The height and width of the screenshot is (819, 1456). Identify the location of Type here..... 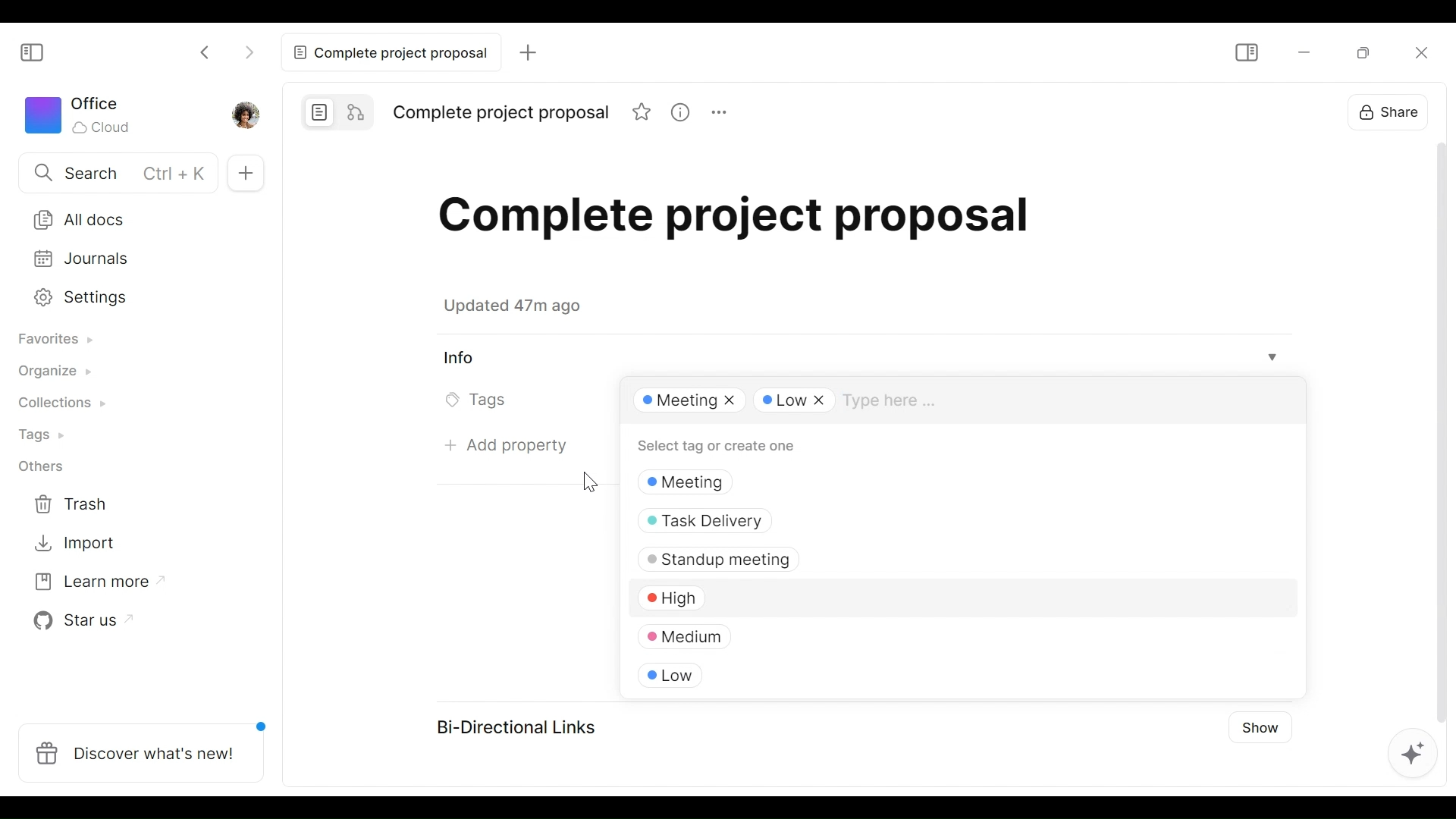
(898, 401).